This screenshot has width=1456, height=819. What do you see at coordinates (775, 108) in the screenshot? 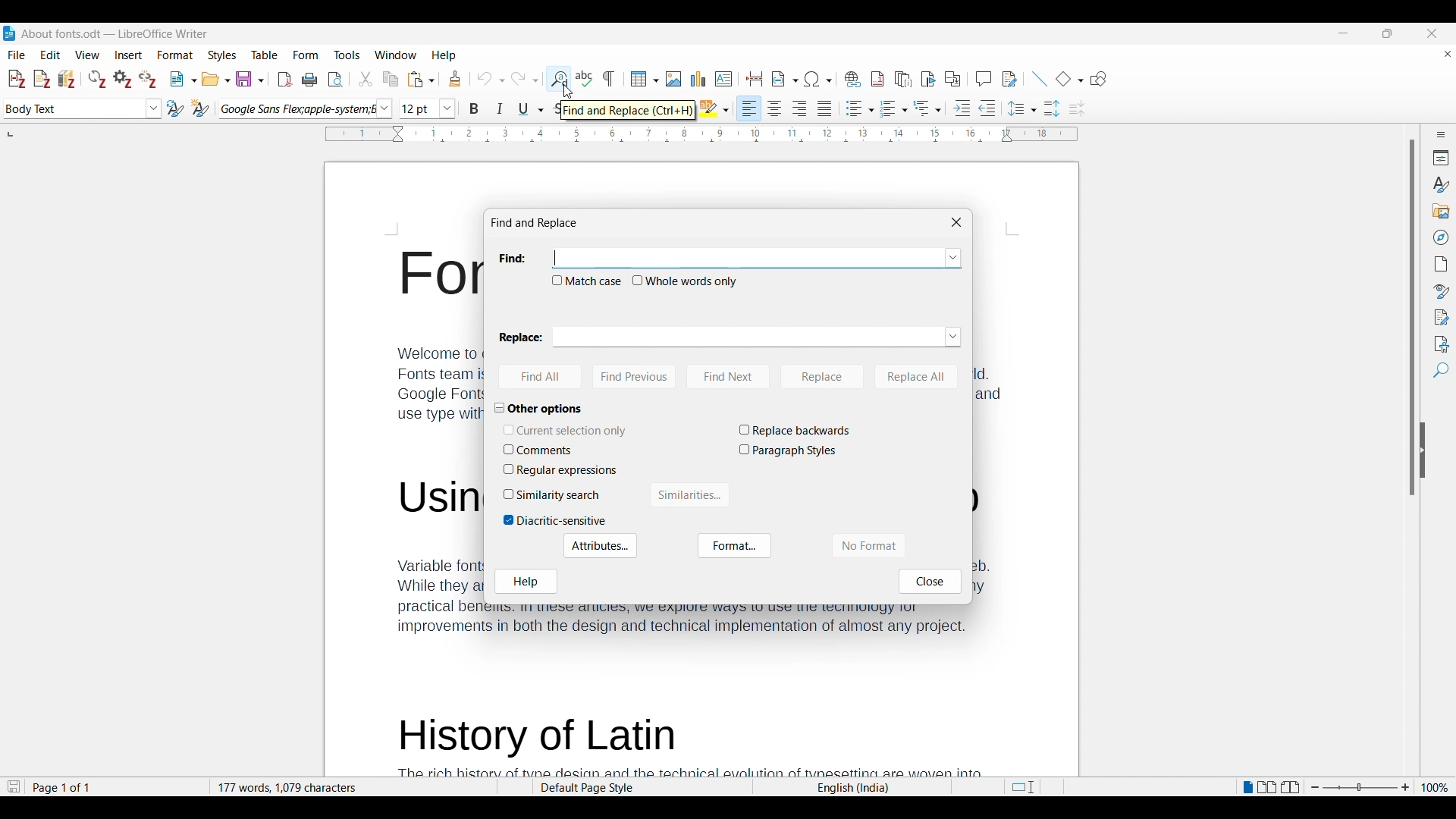
I see `Align center` at bounding box center [775, 108].